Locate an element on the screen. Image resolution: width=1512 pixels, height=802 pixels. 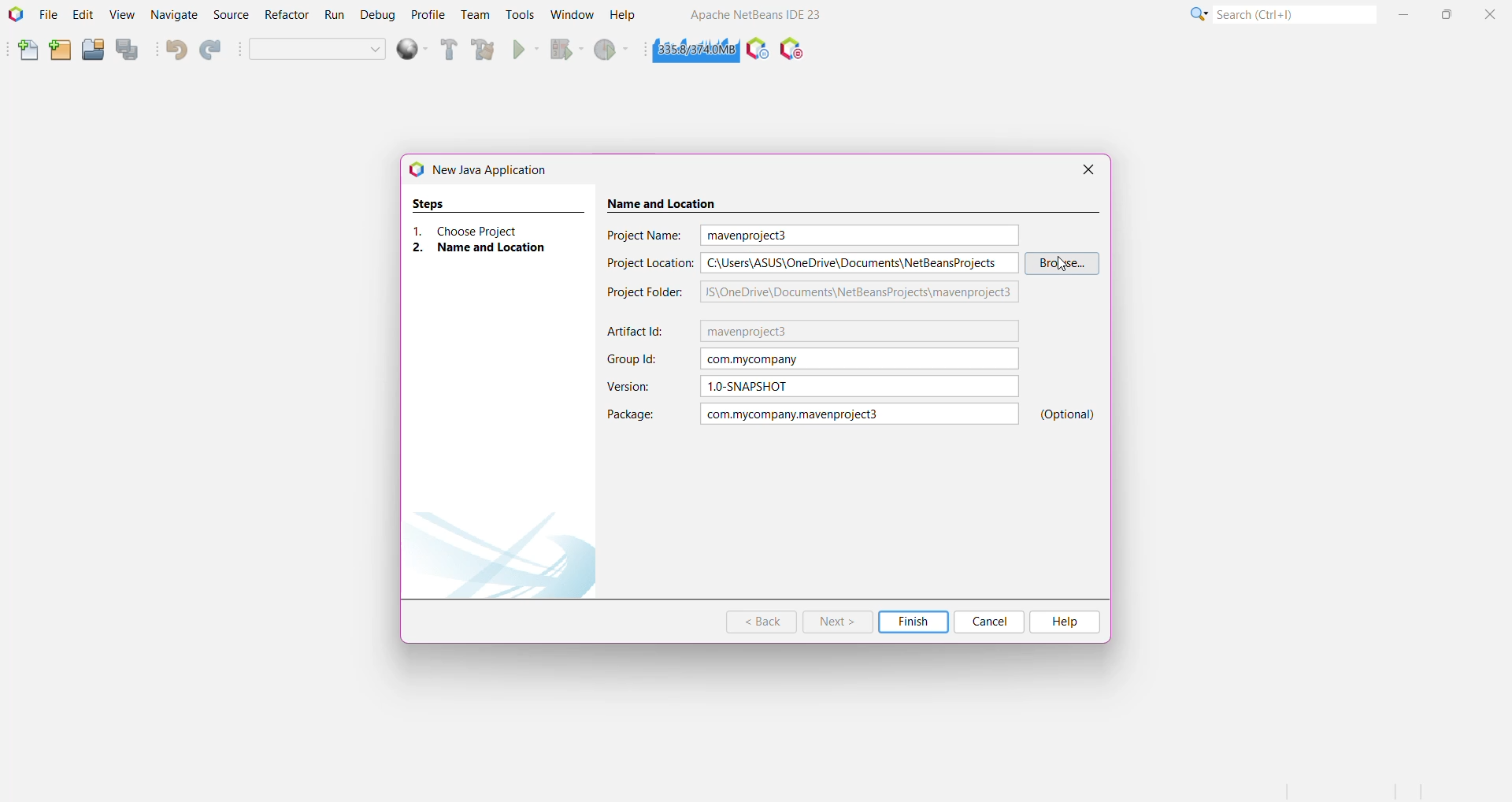
File is located at coordinates (49, 16).